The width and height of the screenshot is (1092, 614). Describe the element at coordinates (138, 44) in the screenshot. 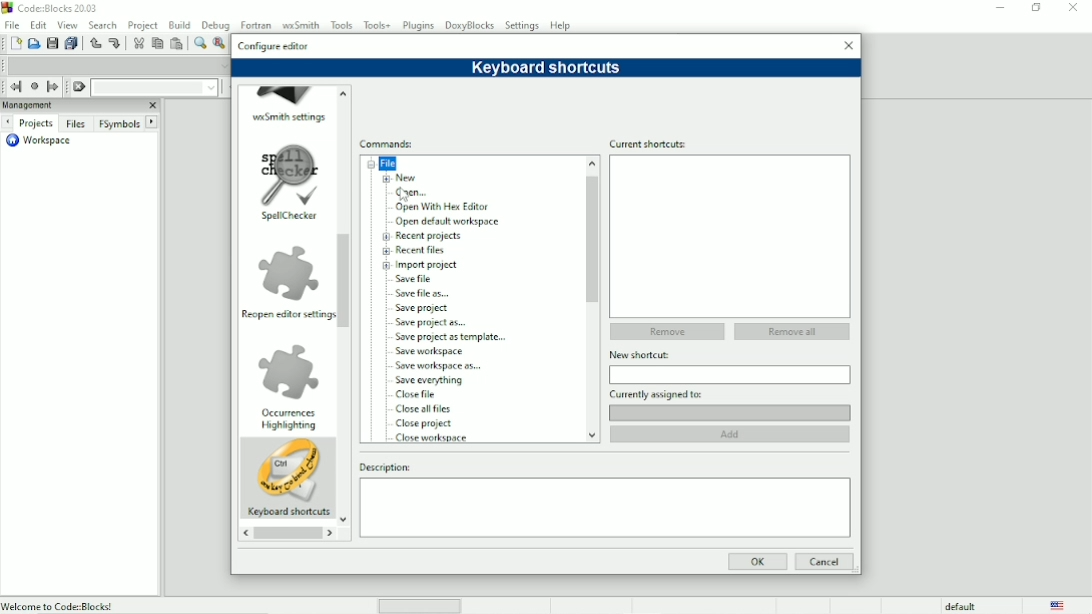

I see `Cut` at that location.